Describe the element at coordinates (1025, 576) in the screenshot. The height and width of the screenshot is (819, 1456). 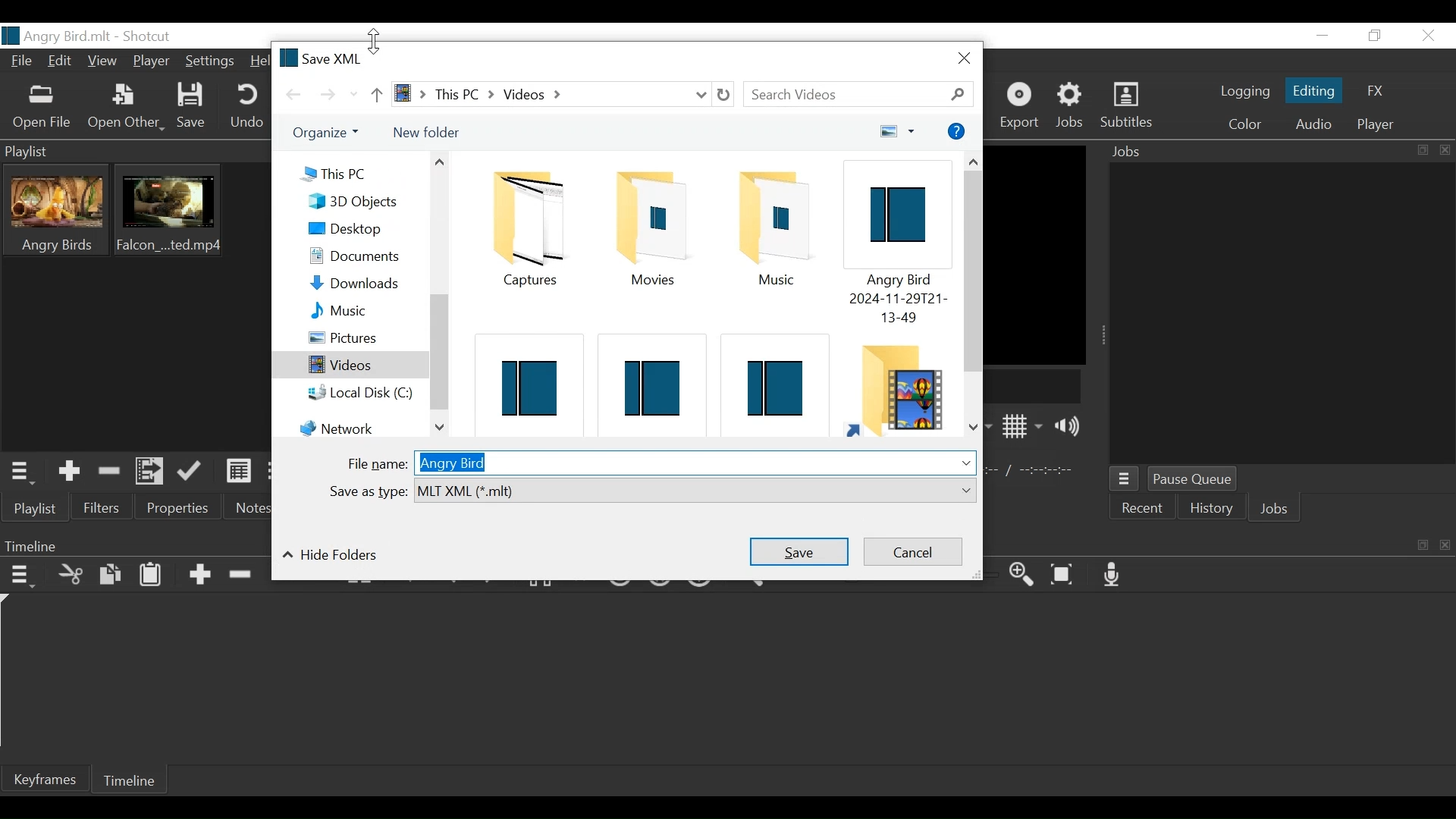
I see `Zoom timeline in` at that location.